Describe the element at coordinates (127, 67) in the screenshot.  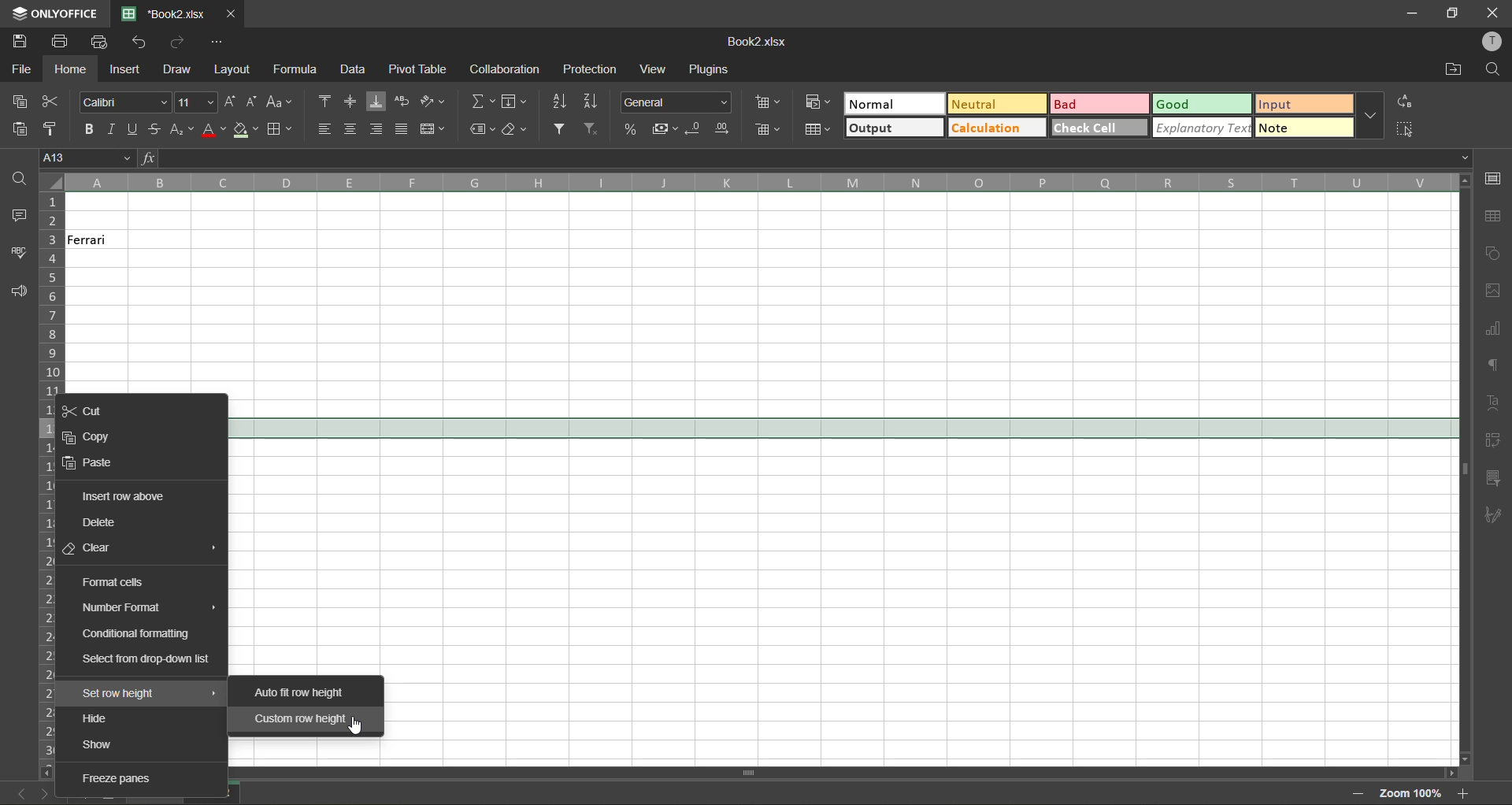
I see `insert` at that location.